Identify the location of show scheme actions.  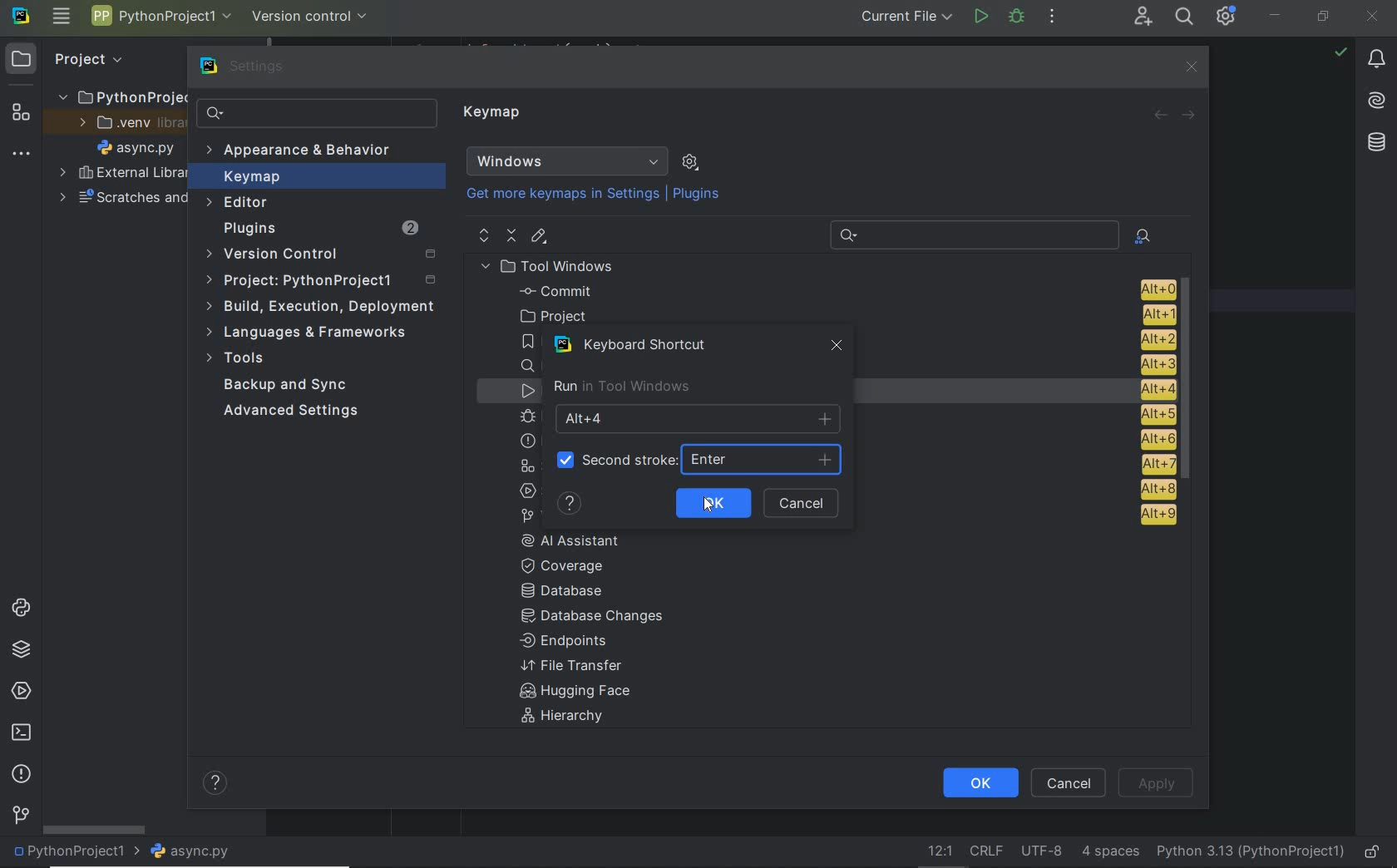
(690, 161).